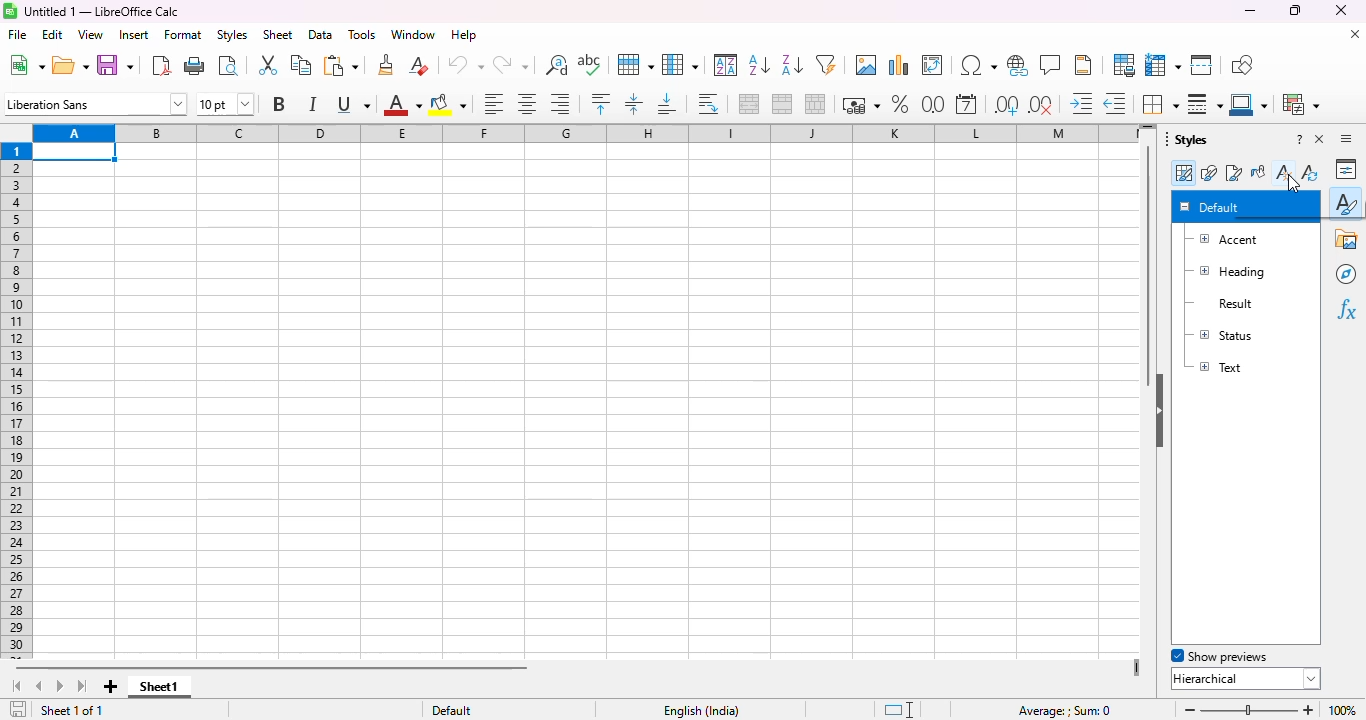 This screenshot has width=1366, height=720. Describe the element at coordinates (465, 65) in the screenshot. I see `undo` at that location.